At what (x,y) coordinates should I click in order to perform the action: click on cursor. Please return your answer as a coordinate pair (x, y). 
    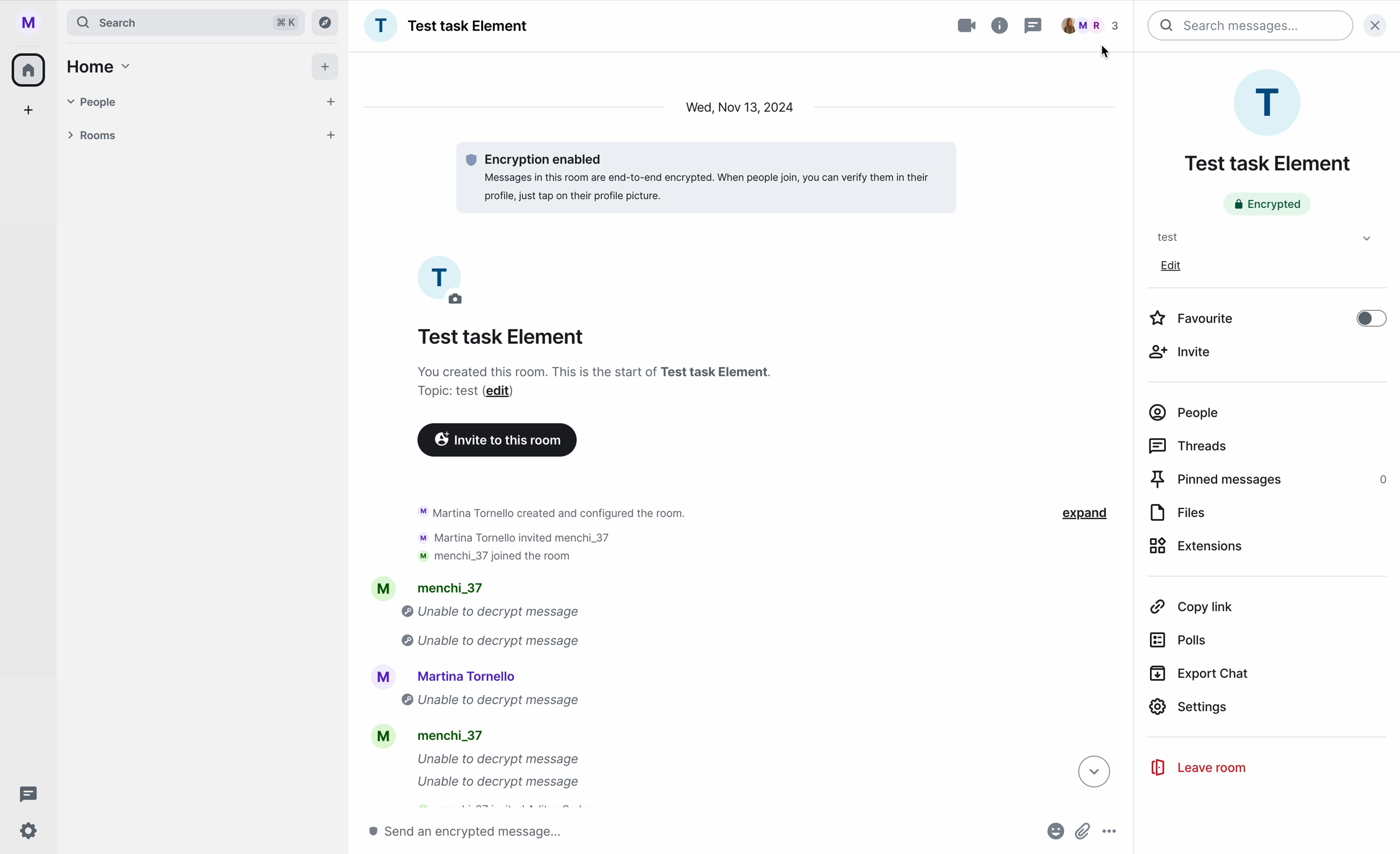
    Looking at the image, I should click on (1107, 52).